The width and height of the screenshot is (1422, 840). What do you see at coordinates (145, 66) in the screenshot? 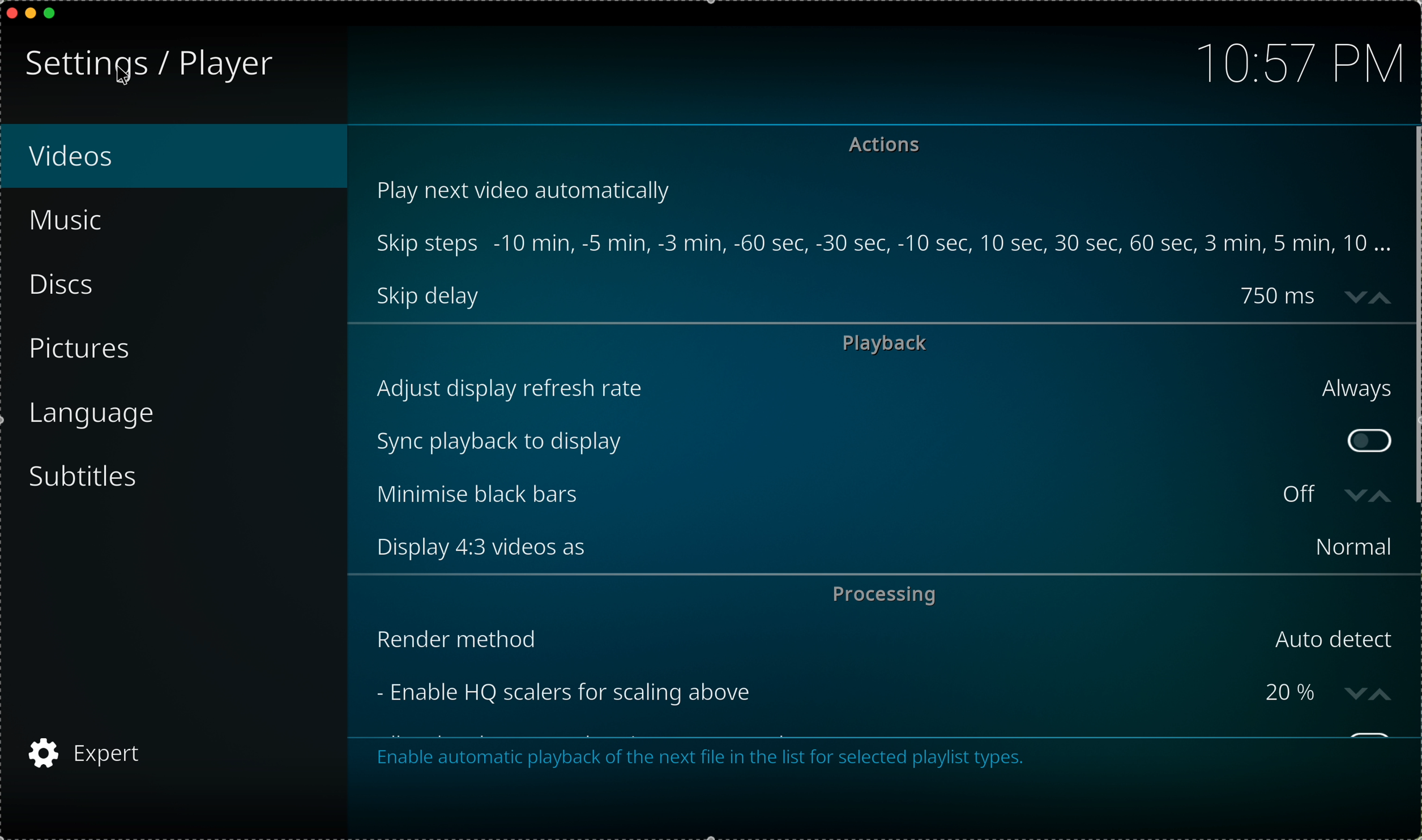
I see `Settings/player` at bounding box center [145, 66].